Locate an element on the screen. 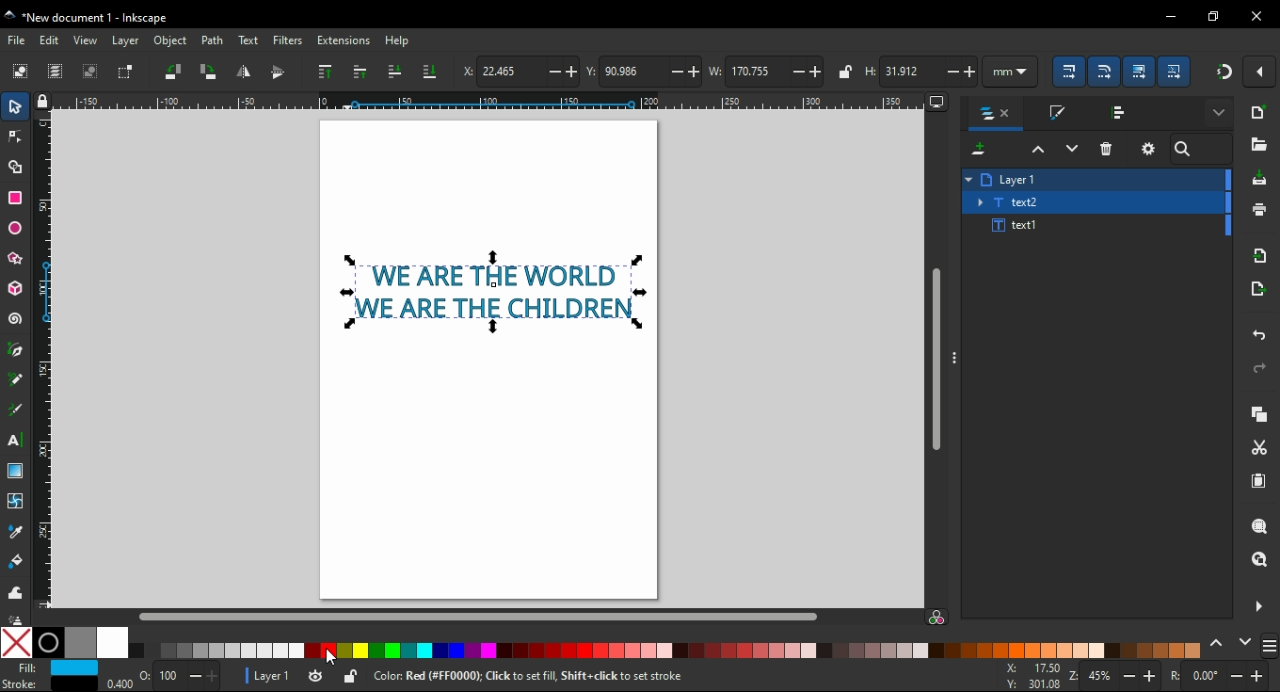 Image resolution: width=1280 pixels, height=692 pixels. snap settings is located at coordinates (1259, 71).